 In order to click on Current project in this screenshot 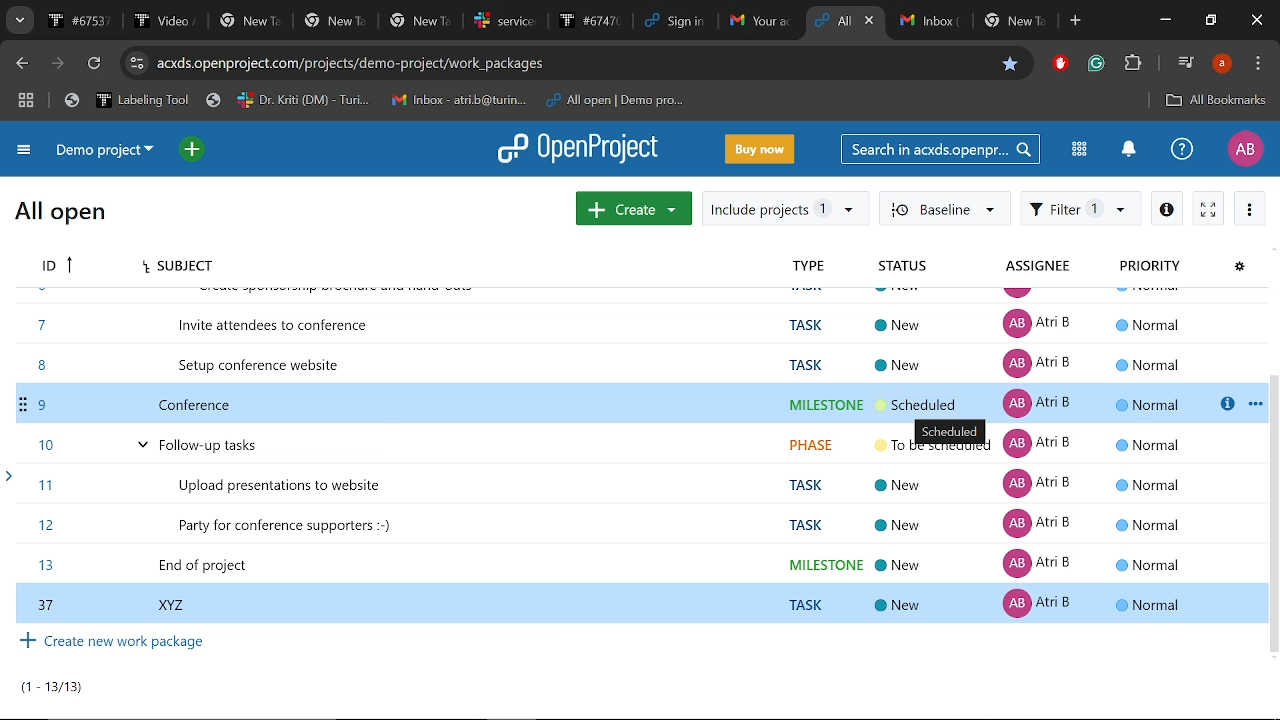, I will do `click(103, 152)`.